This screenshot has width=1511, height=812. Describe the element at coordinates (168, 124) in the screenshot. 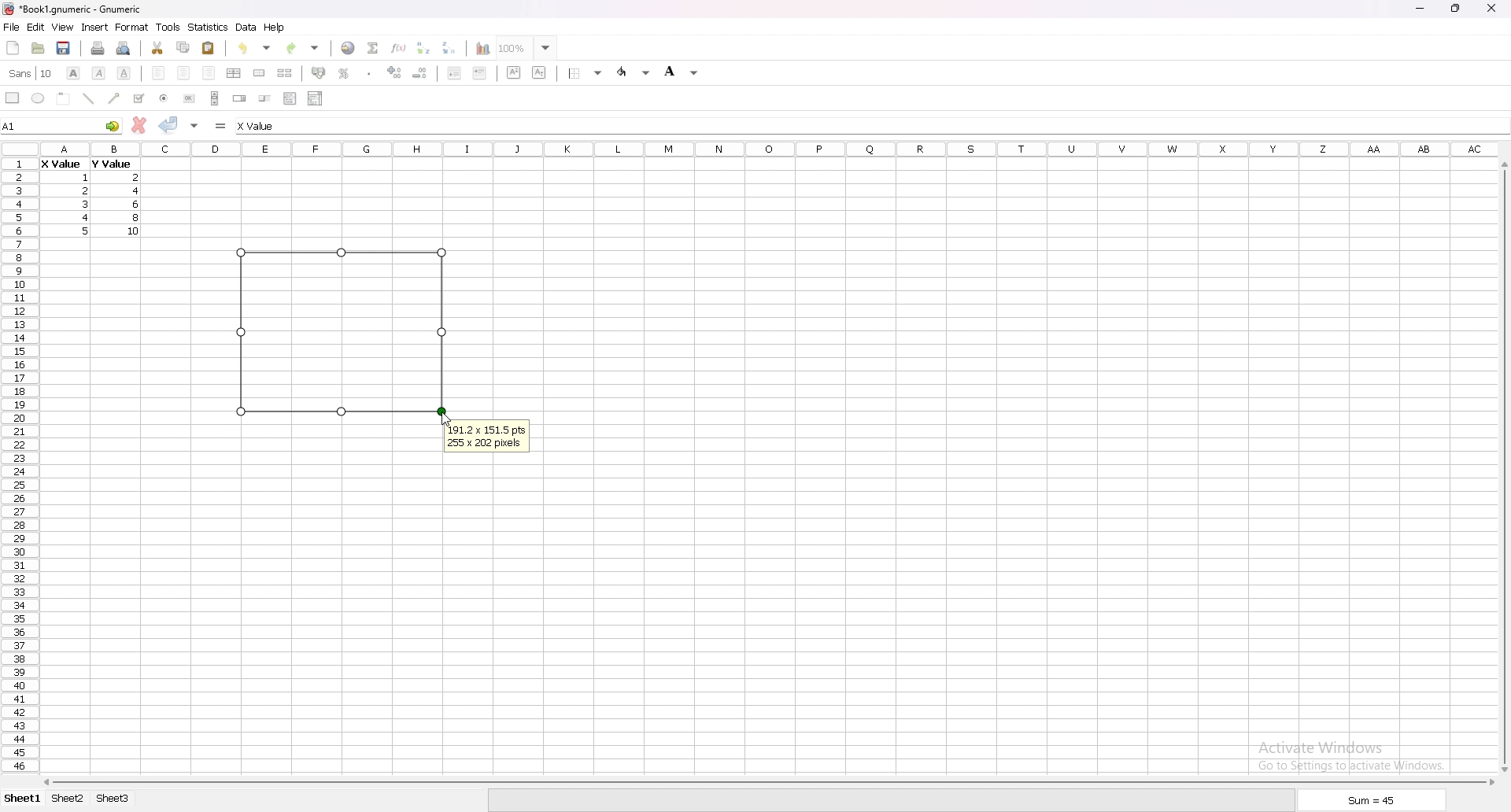

I see `accept change` at that location.